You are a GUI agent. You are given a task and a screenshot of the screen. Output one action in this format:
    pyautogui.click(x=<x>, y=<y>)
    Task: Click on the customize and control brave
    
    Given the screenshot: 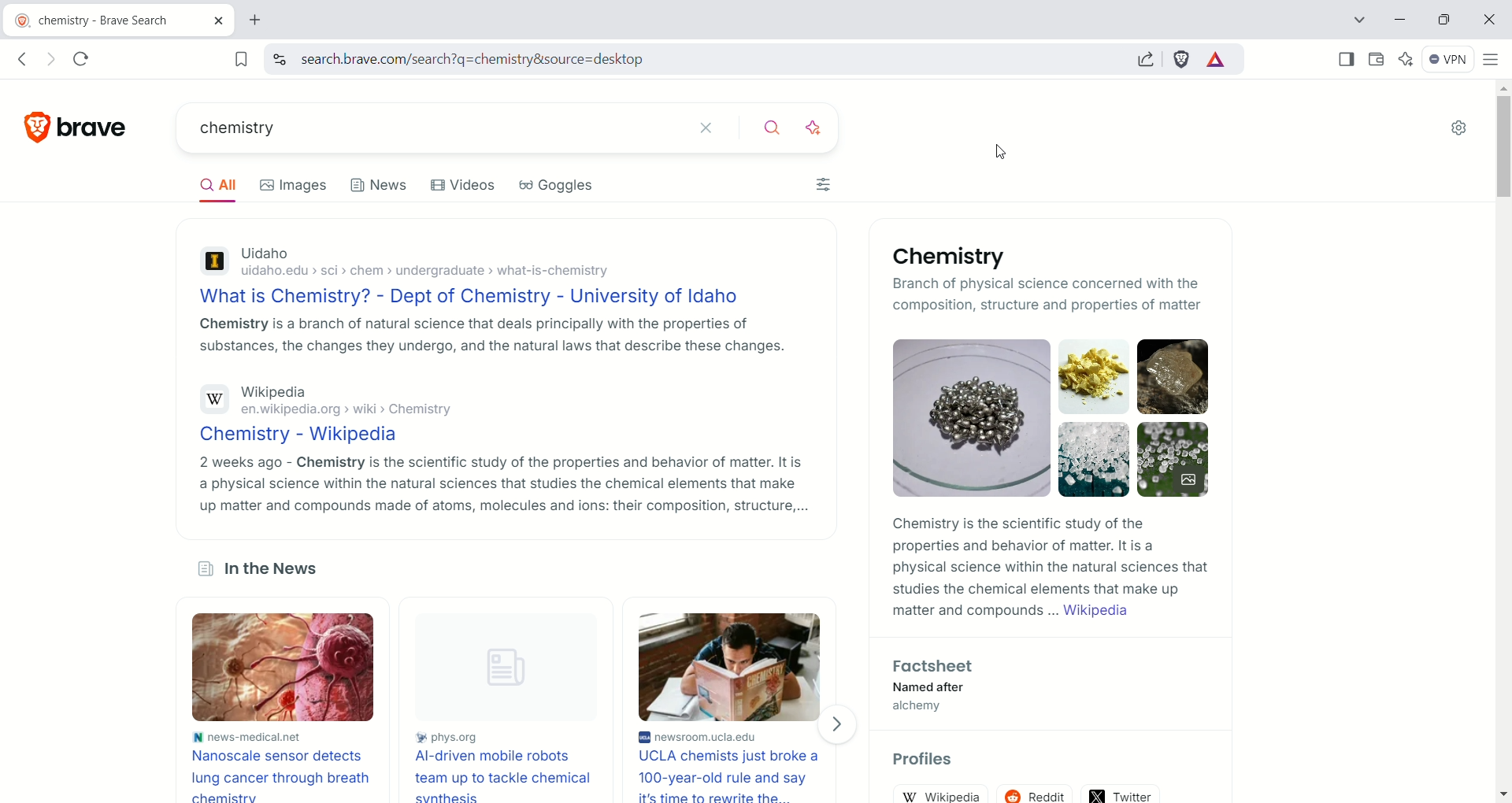 What is the action you would take?
    pyautogui.click(x=1494, y=62)
    